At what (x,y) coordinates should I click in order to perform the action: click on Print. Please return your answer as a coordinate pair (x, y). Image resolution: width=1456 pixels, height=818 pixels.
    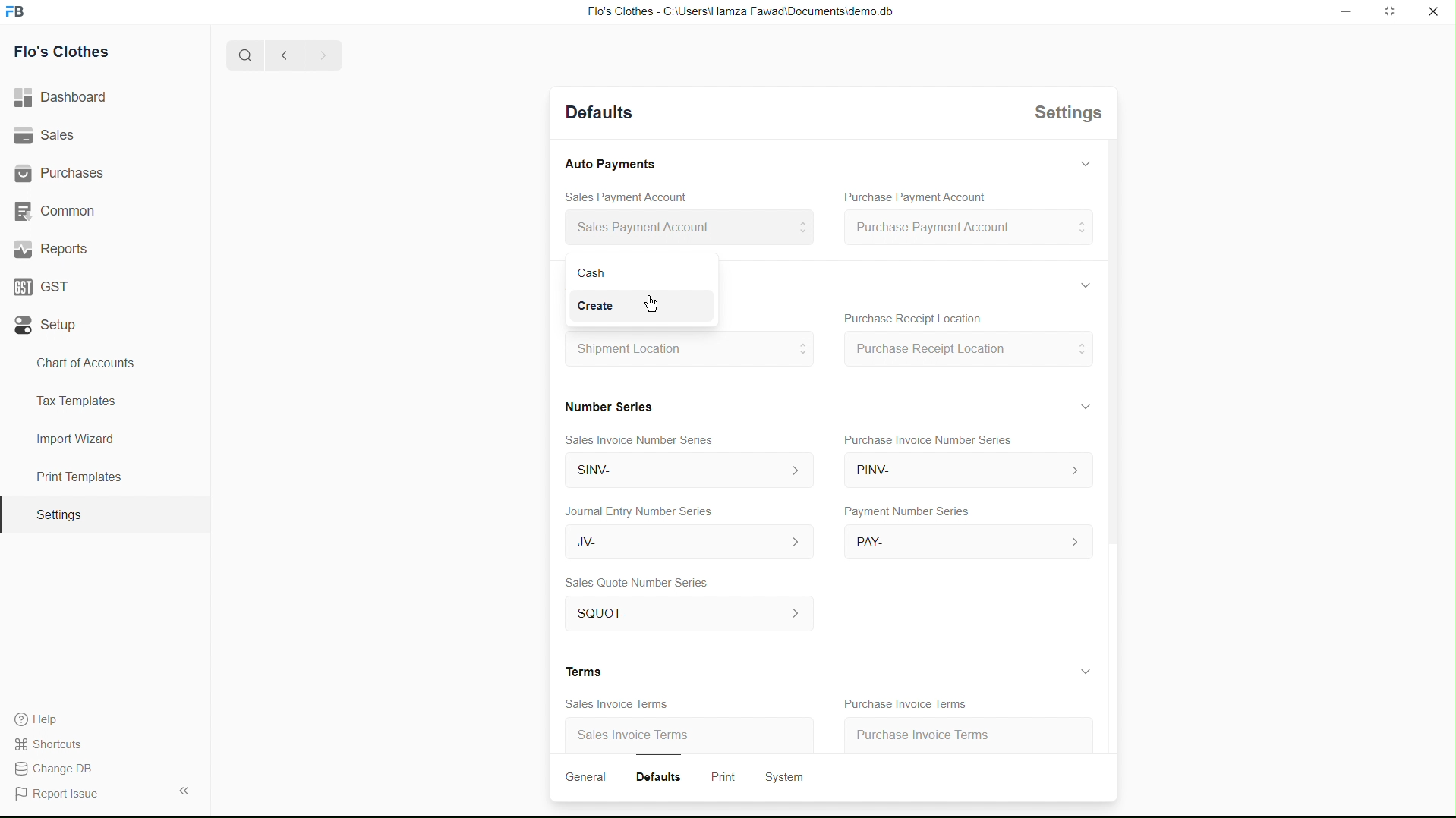
    Looking at the image, I should click on (718, 775).